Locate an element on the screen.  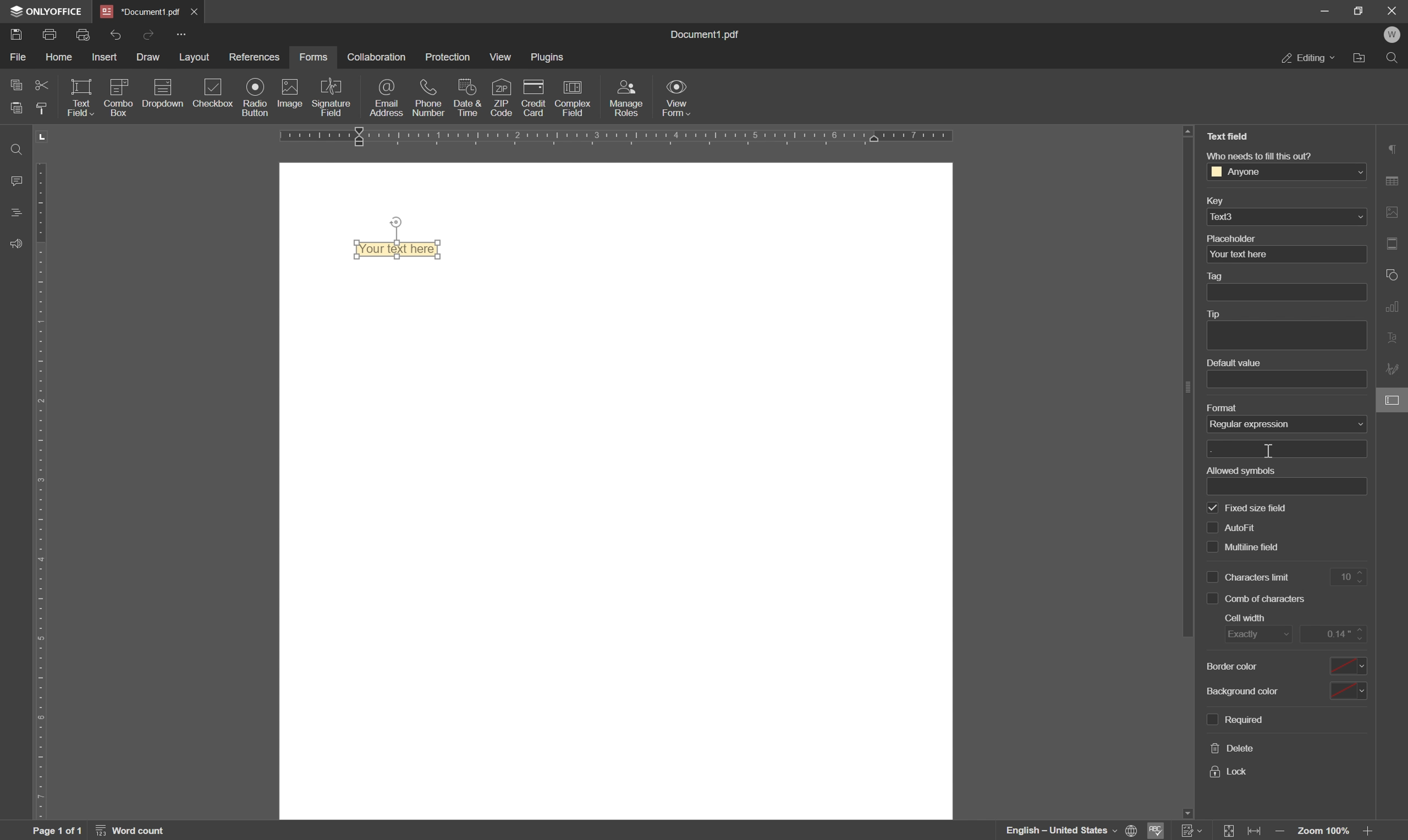
spell checking is located at coordinates (1159, 831).